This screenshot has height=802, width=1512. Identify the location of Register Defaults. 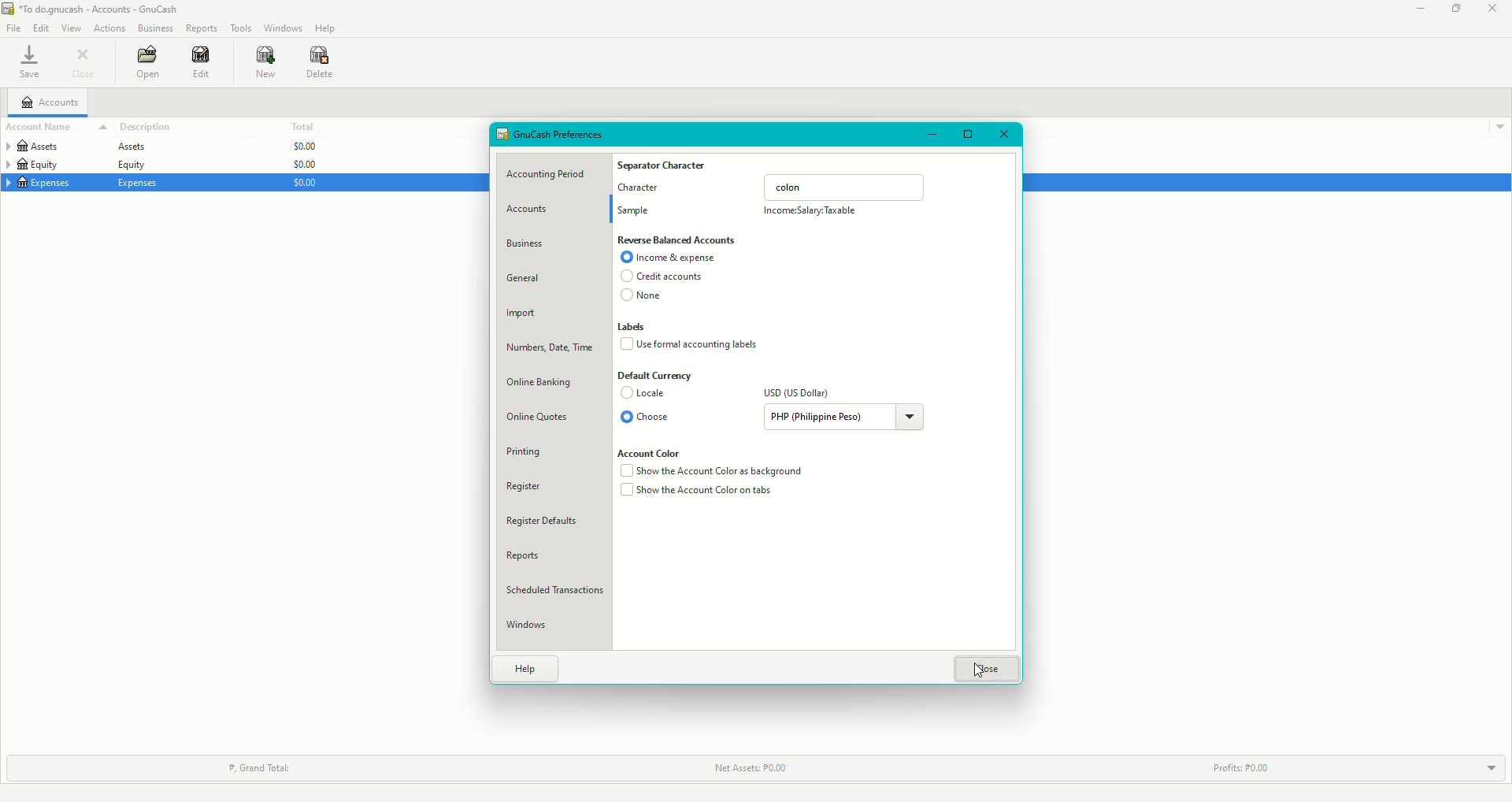
(548, 523).